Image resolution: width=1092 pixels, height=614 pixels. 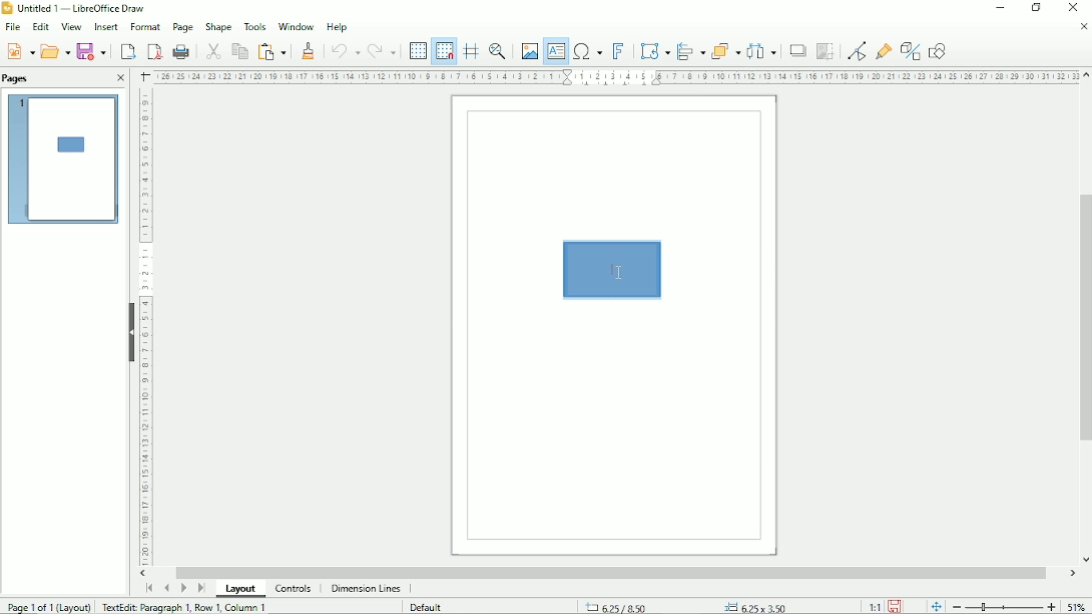 I want to click on export, so click(x=128, y=51).